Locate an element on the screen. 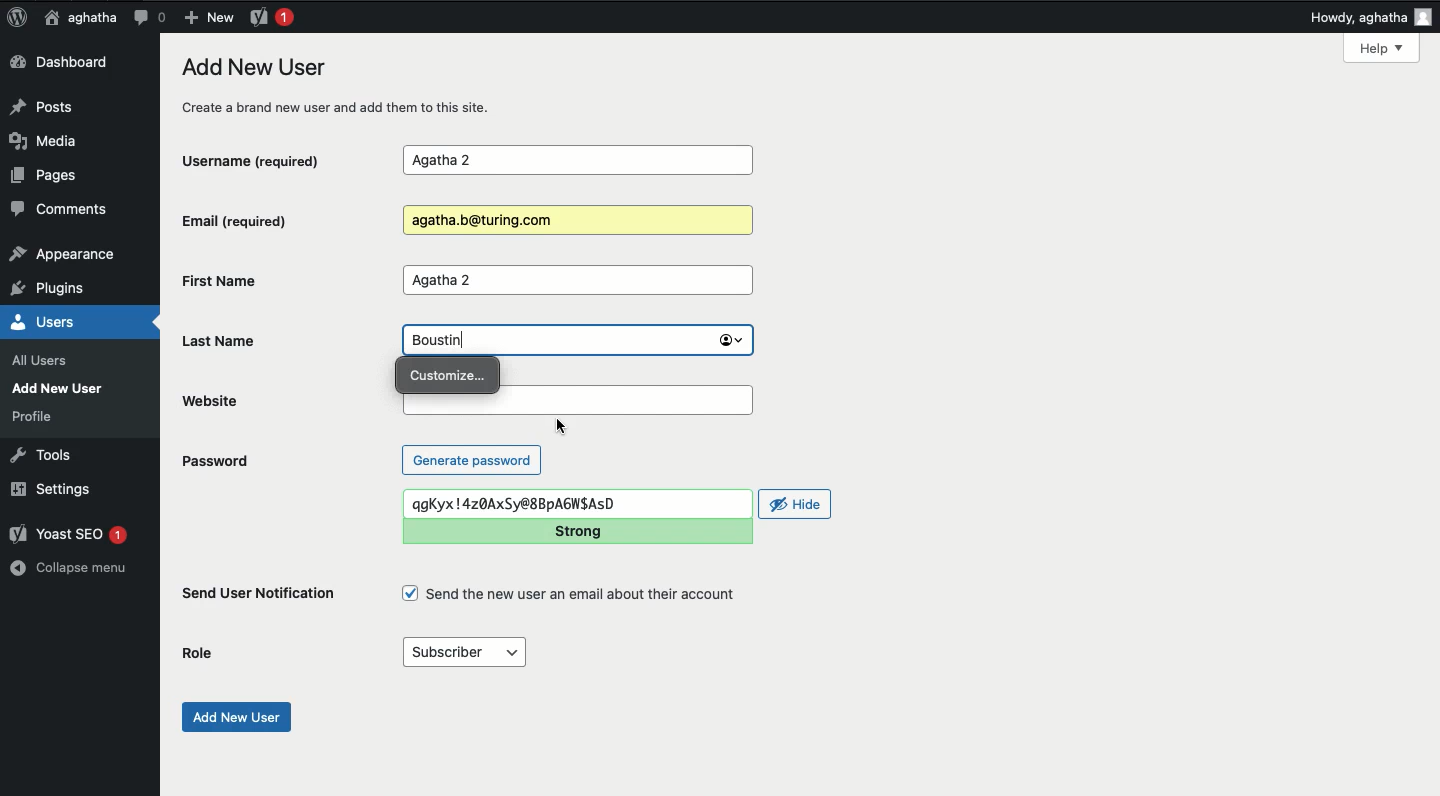 Image resolution: width=1440 pixels, height=796 pixels. all users is located at coordinates (45, 361).